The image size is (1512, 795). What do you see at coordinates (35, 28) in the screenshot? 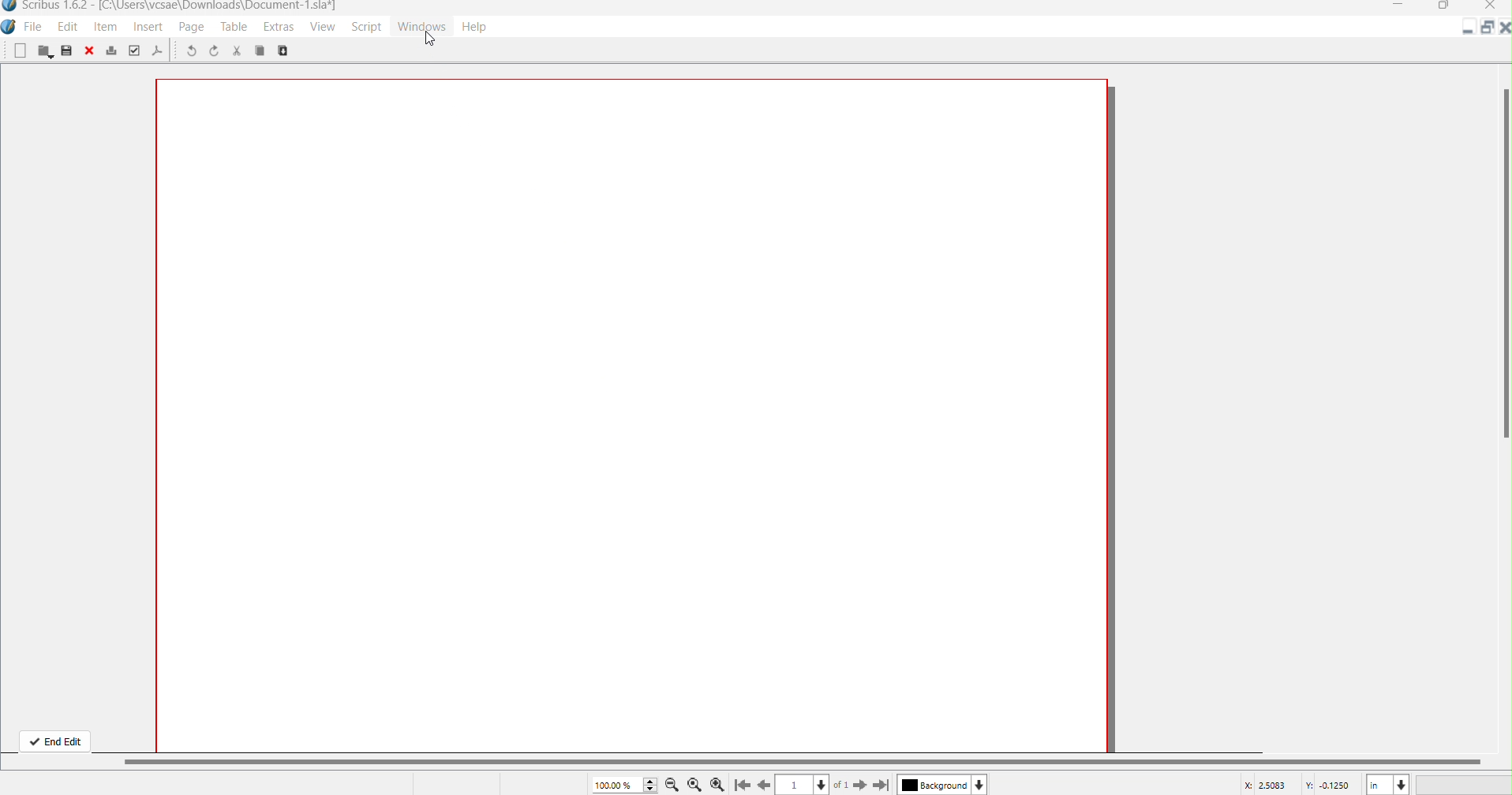
I see `File` at bounding box center [35, 28].